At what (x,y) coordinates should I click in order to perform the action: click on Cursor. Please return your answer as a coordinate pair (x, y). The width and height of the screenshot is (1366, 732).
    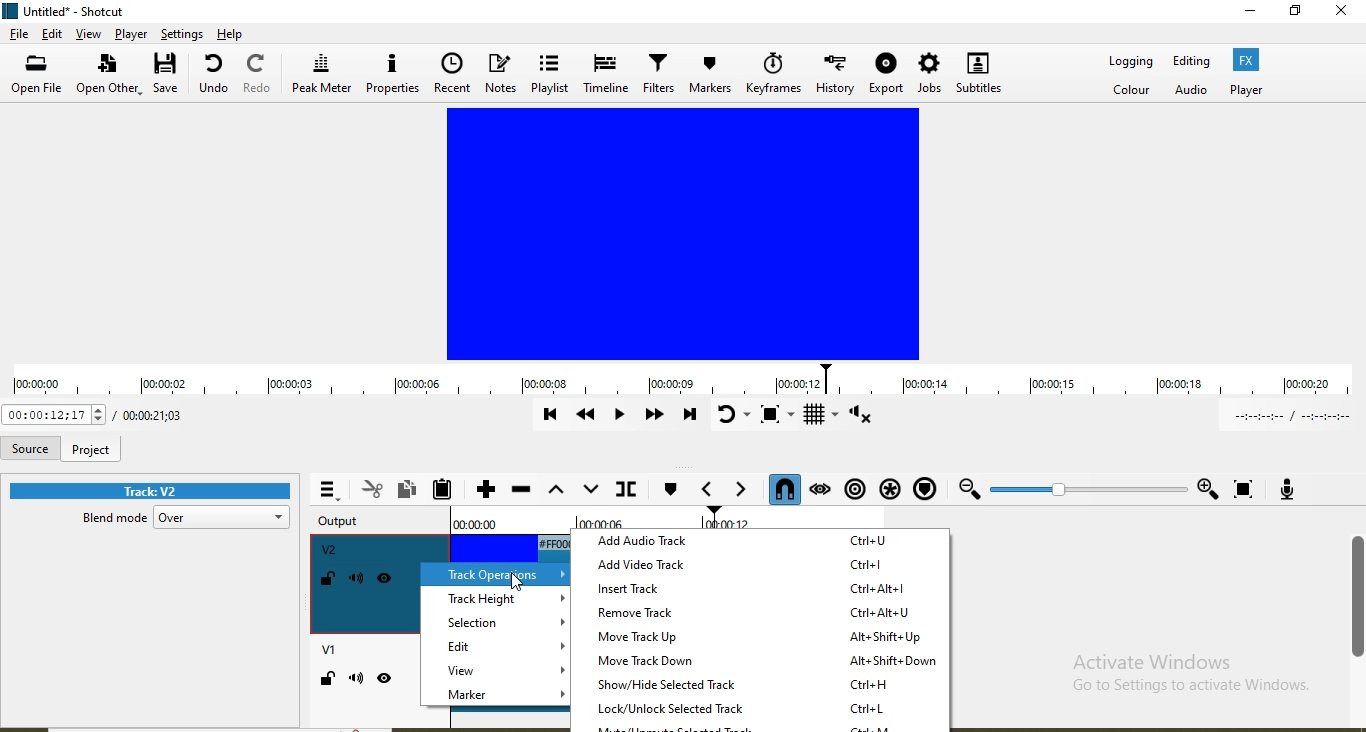
    Looking at the image, I should click on (521, 584).